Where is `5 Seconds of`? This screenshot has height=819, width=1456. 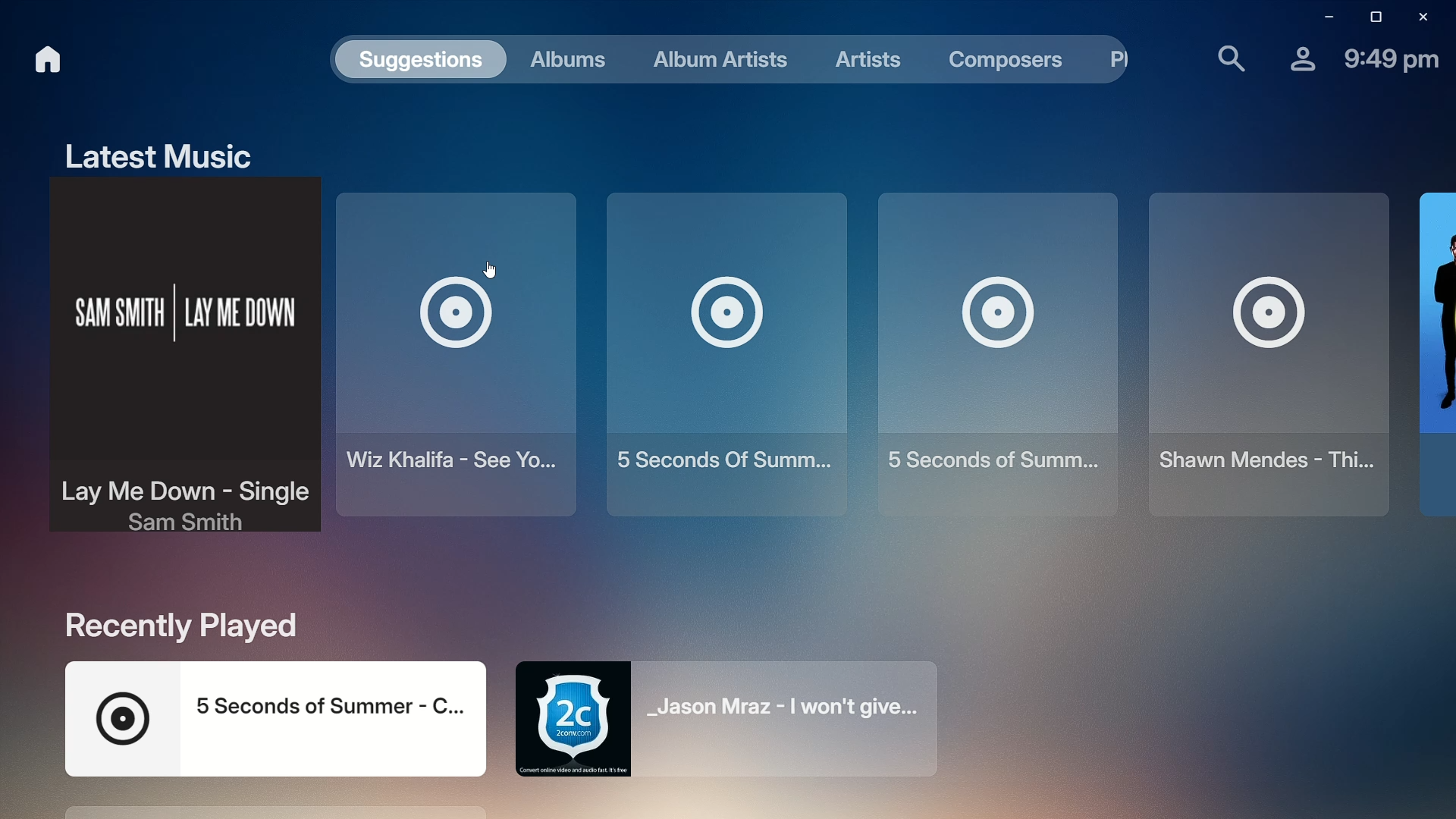
5 Seconds of is located at coordinates (720, 349).